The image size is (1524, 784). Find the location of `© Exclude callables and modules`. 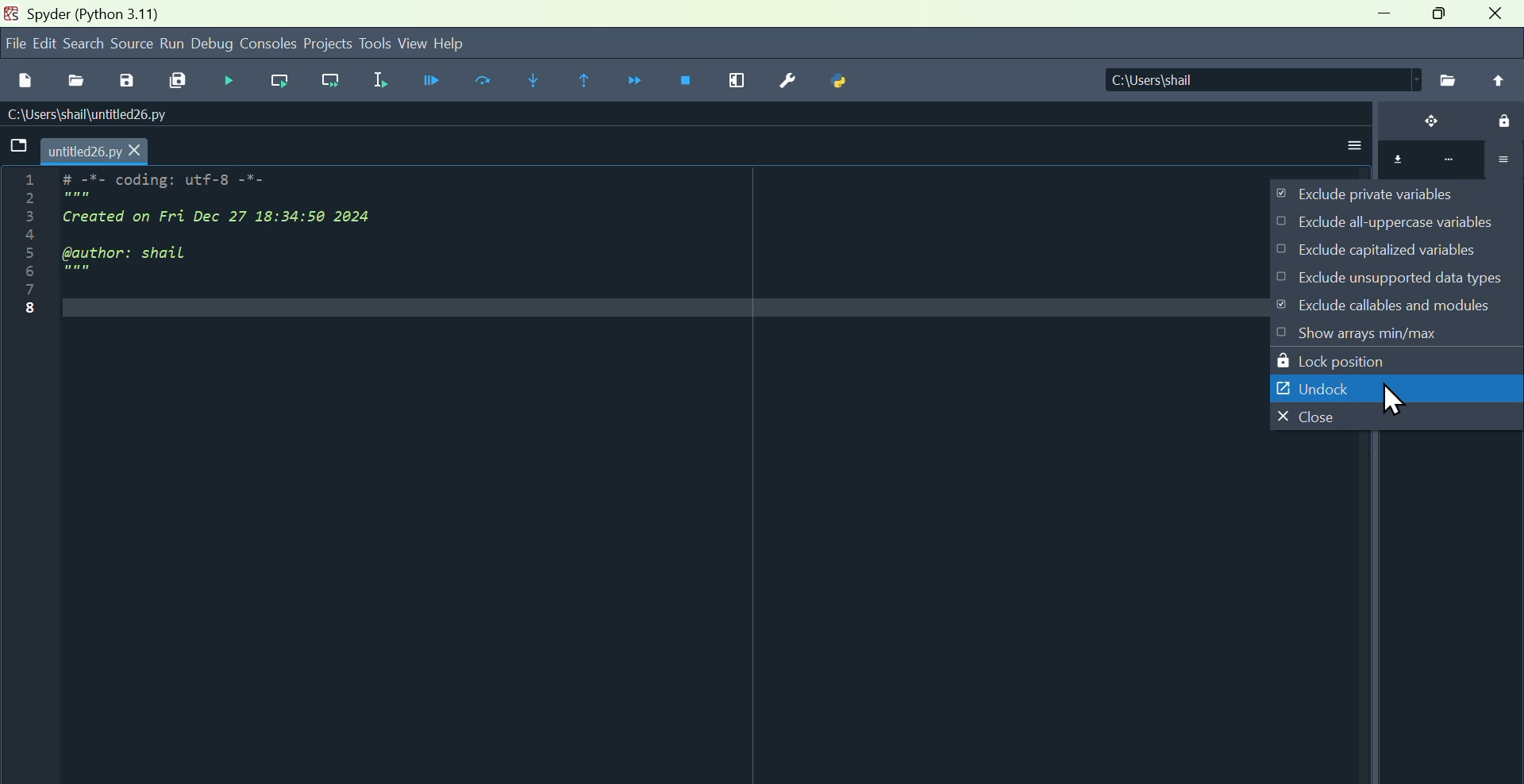

© Exclude callables and modules is located at coordinates (1400, 304).